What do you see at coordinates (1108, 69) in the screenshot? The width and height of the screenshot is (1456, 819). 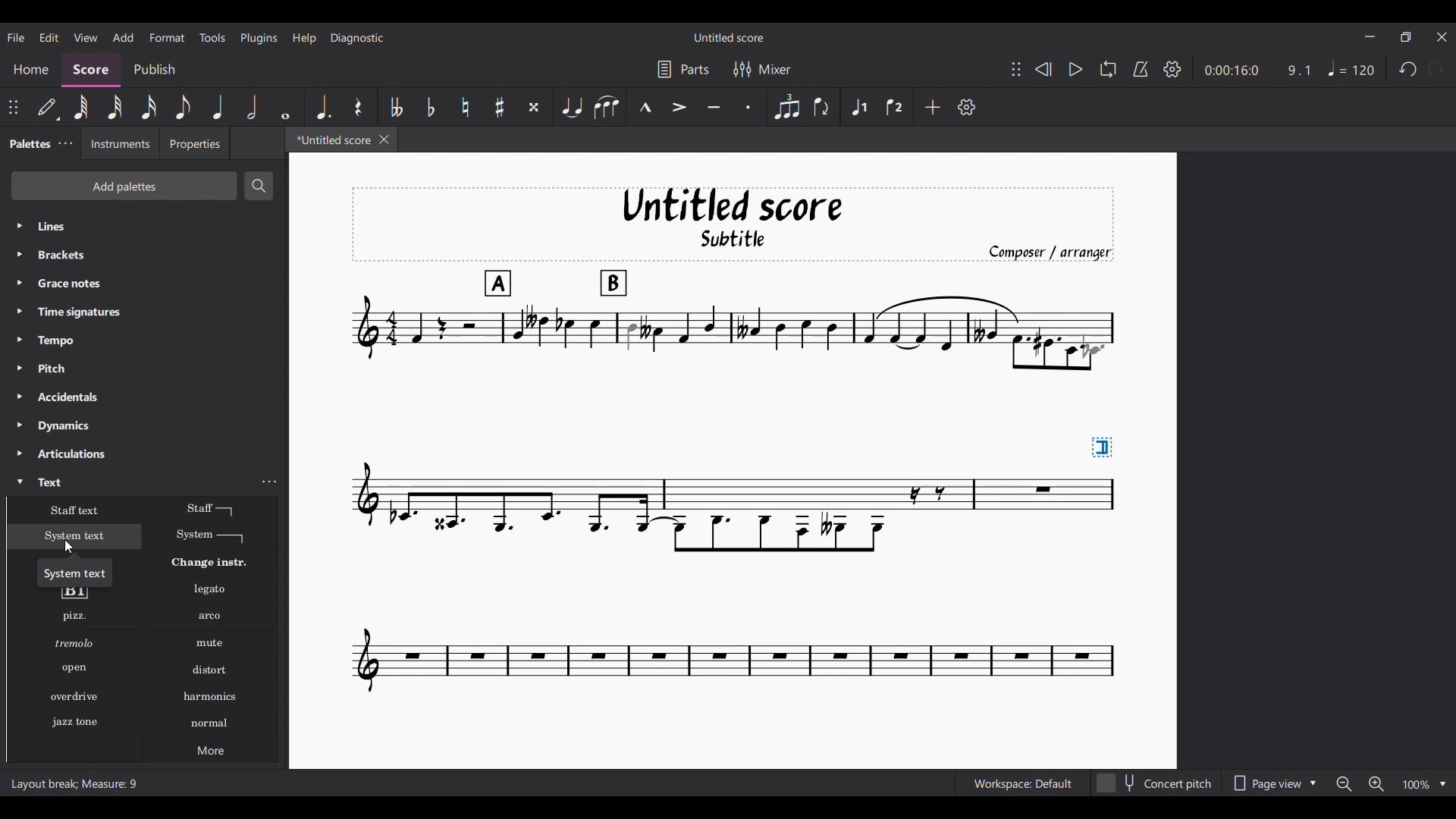 I see `Loop playback` at bounding box center [1108, 69].